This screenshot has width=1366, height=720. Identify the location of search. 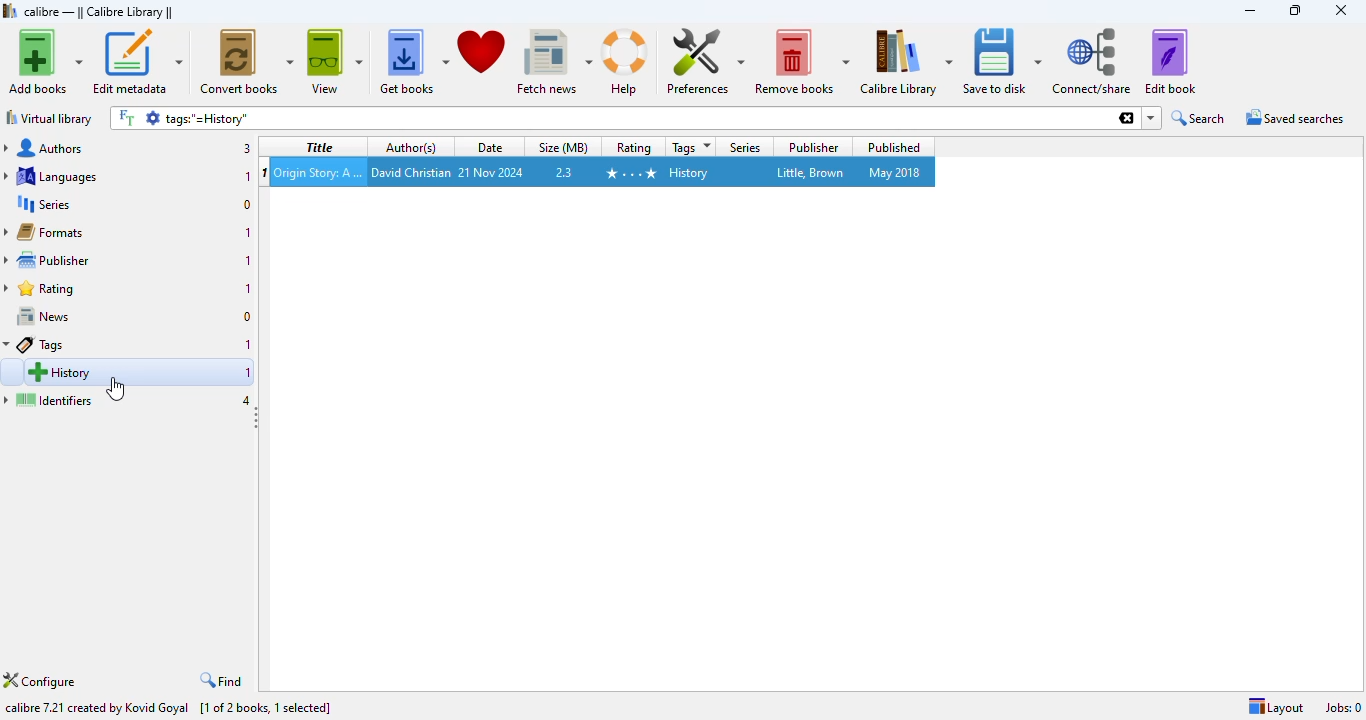
(1198, 118).